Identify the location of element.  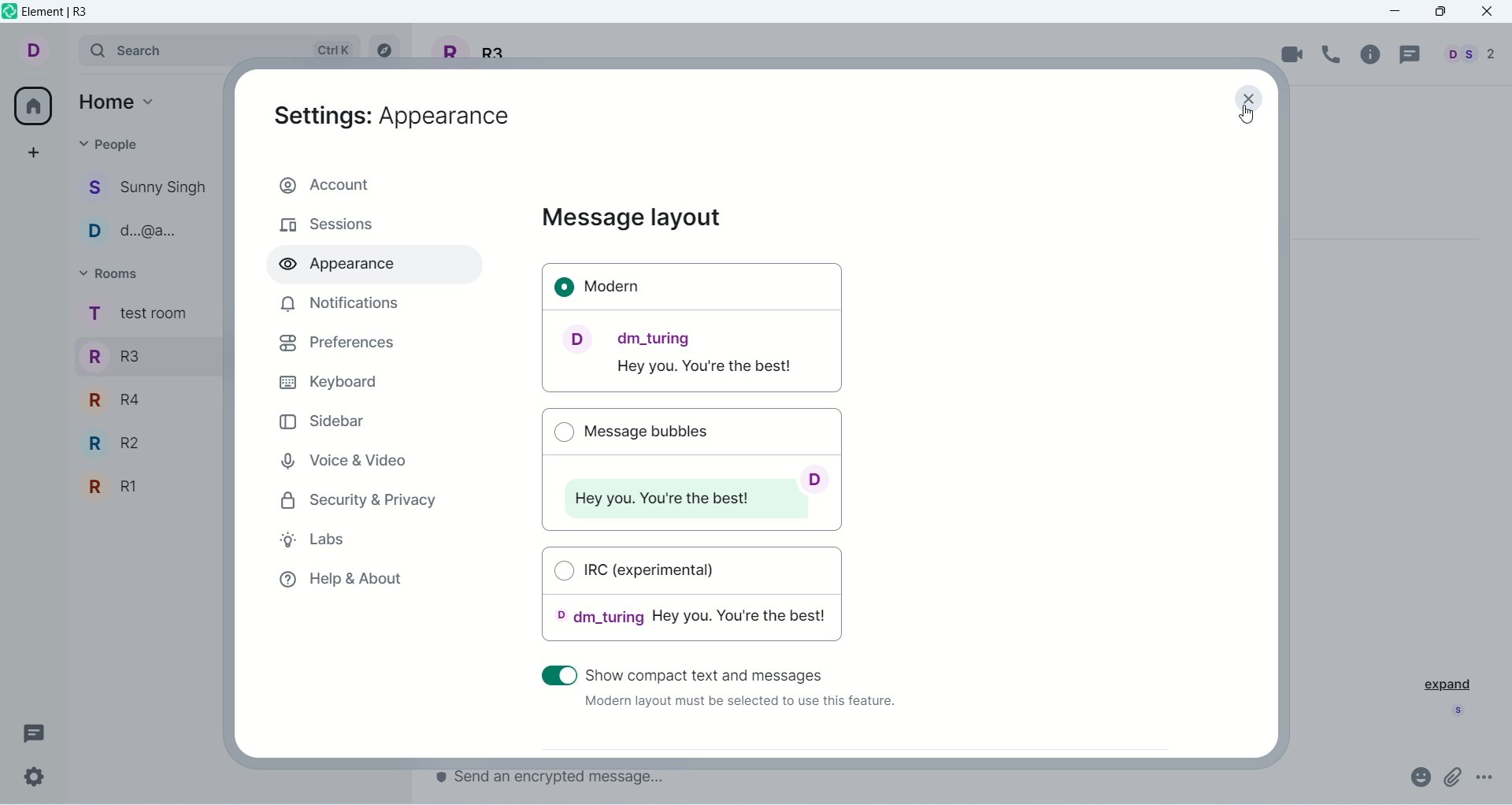
(59, 13).